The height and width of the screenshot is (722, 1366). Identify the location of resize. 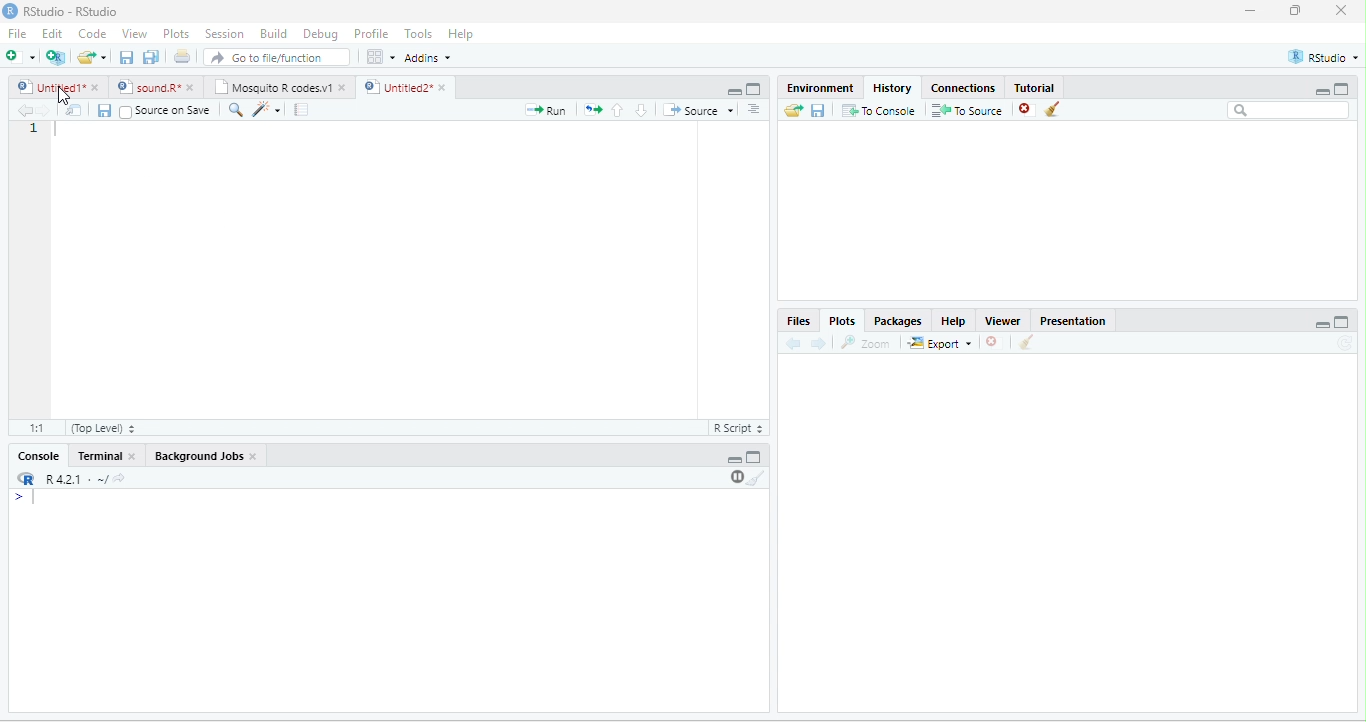
(1296, 10).